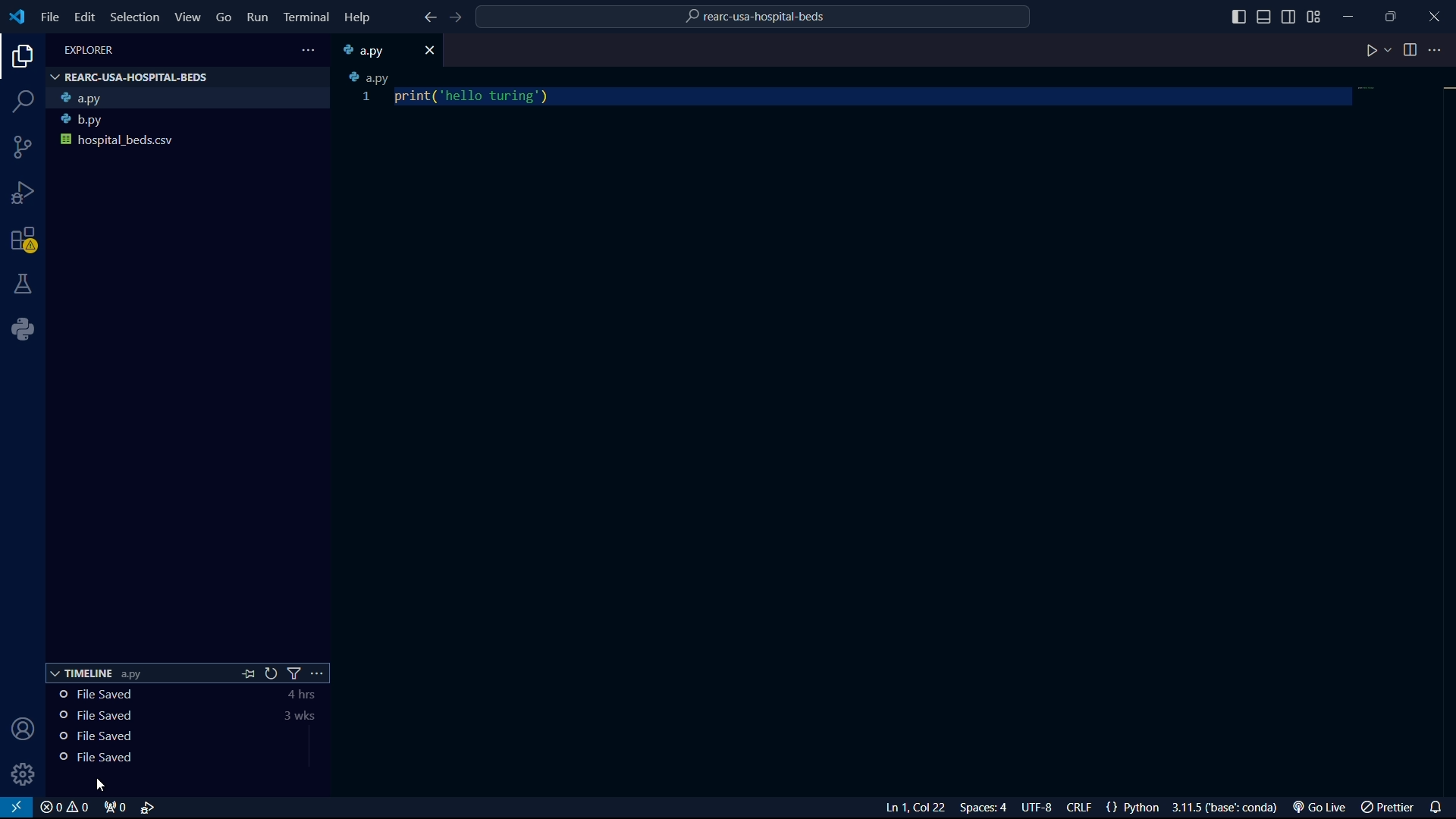 Image resolution: width=1456 pixels, height=819 pixels. What do you see at coordinates (1078, 808) in the screenshot?
I see `select end line of sequence` at bounding box center [1078, 808].